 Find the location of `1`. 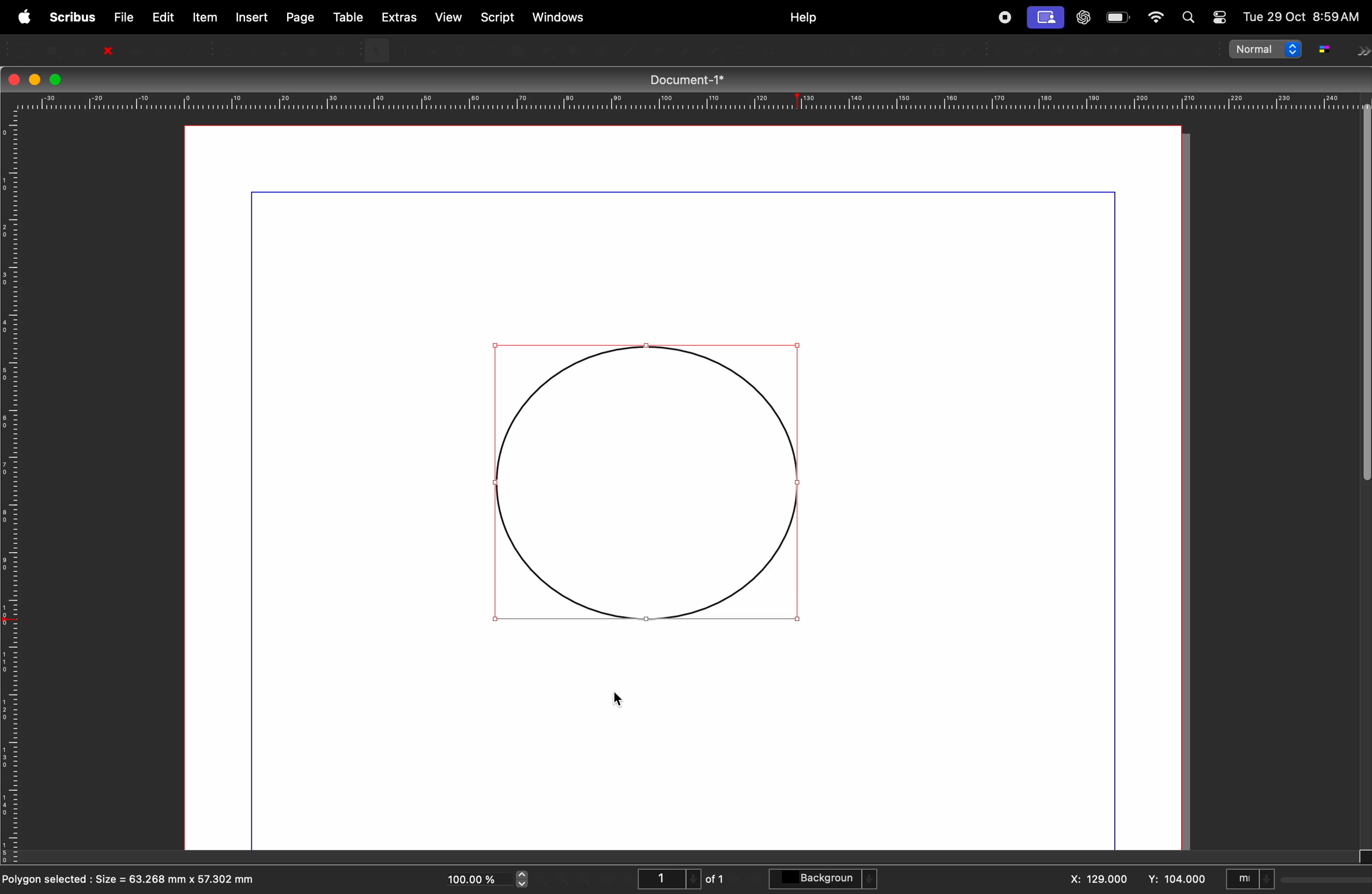

1 is located at coordinates (666, 877).